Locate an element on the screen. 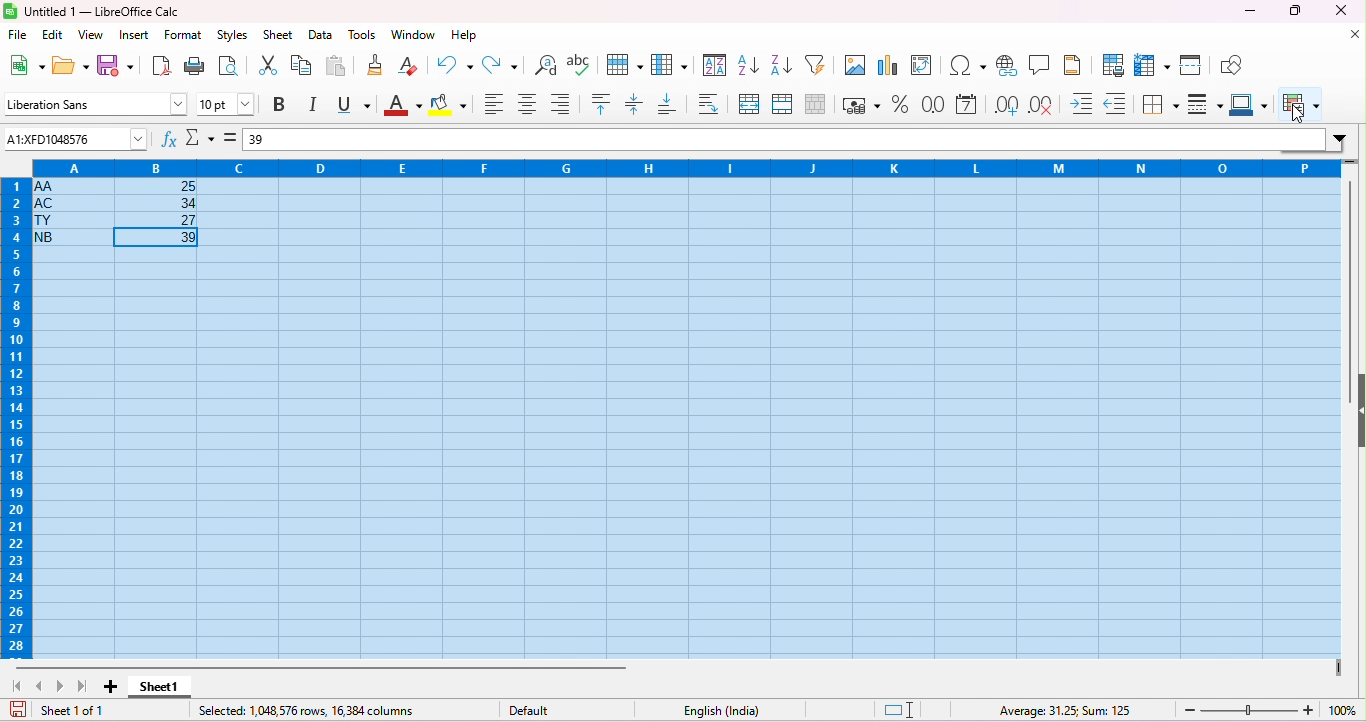 Image resolution: width=1366 pixels, height=722 pixels. filter is located at coordinates (819, 64).